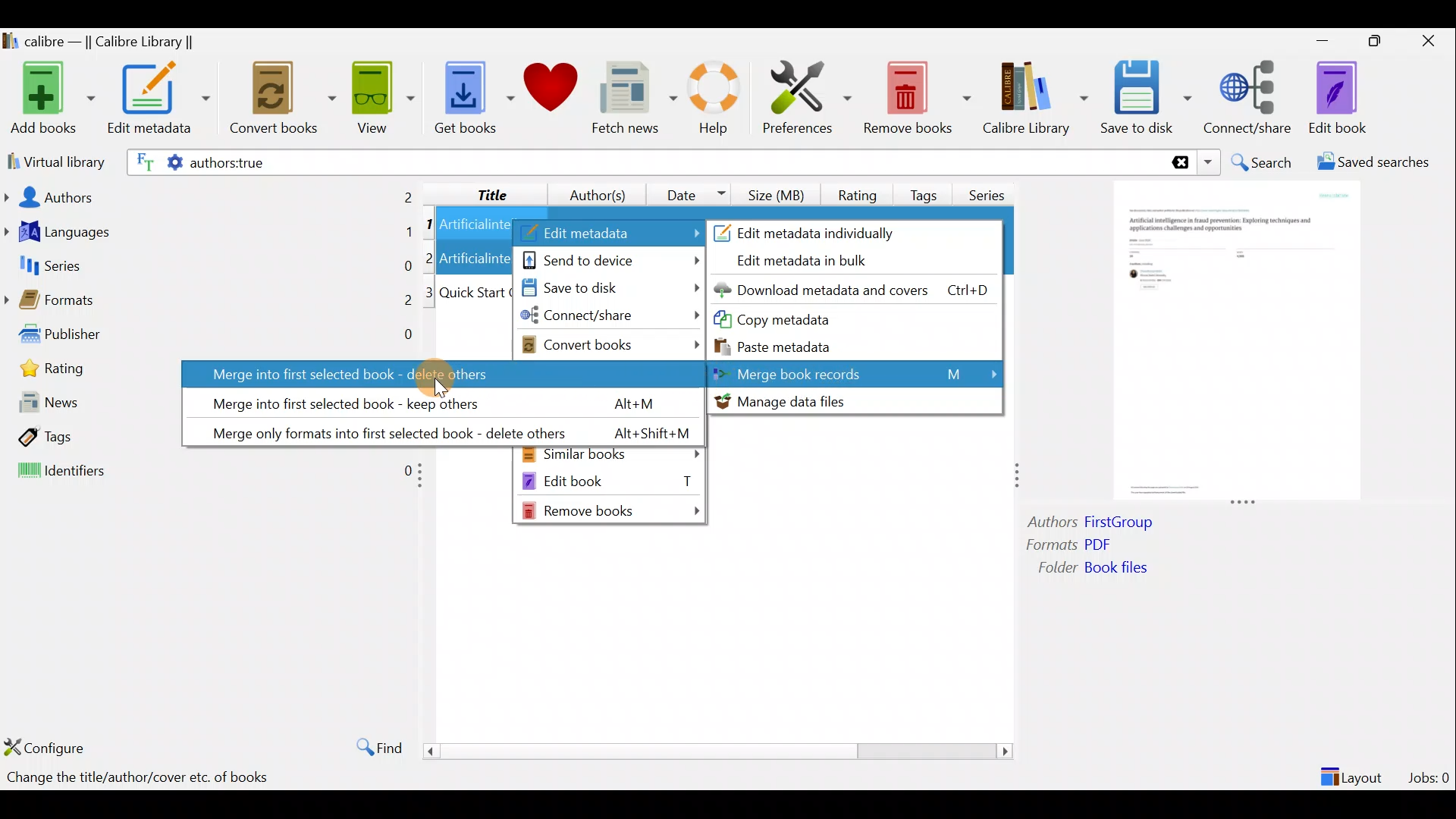  What do you see at coordinates (89, 373) in the screenshot?
I see `Rating` at bounding box center [89, 373].